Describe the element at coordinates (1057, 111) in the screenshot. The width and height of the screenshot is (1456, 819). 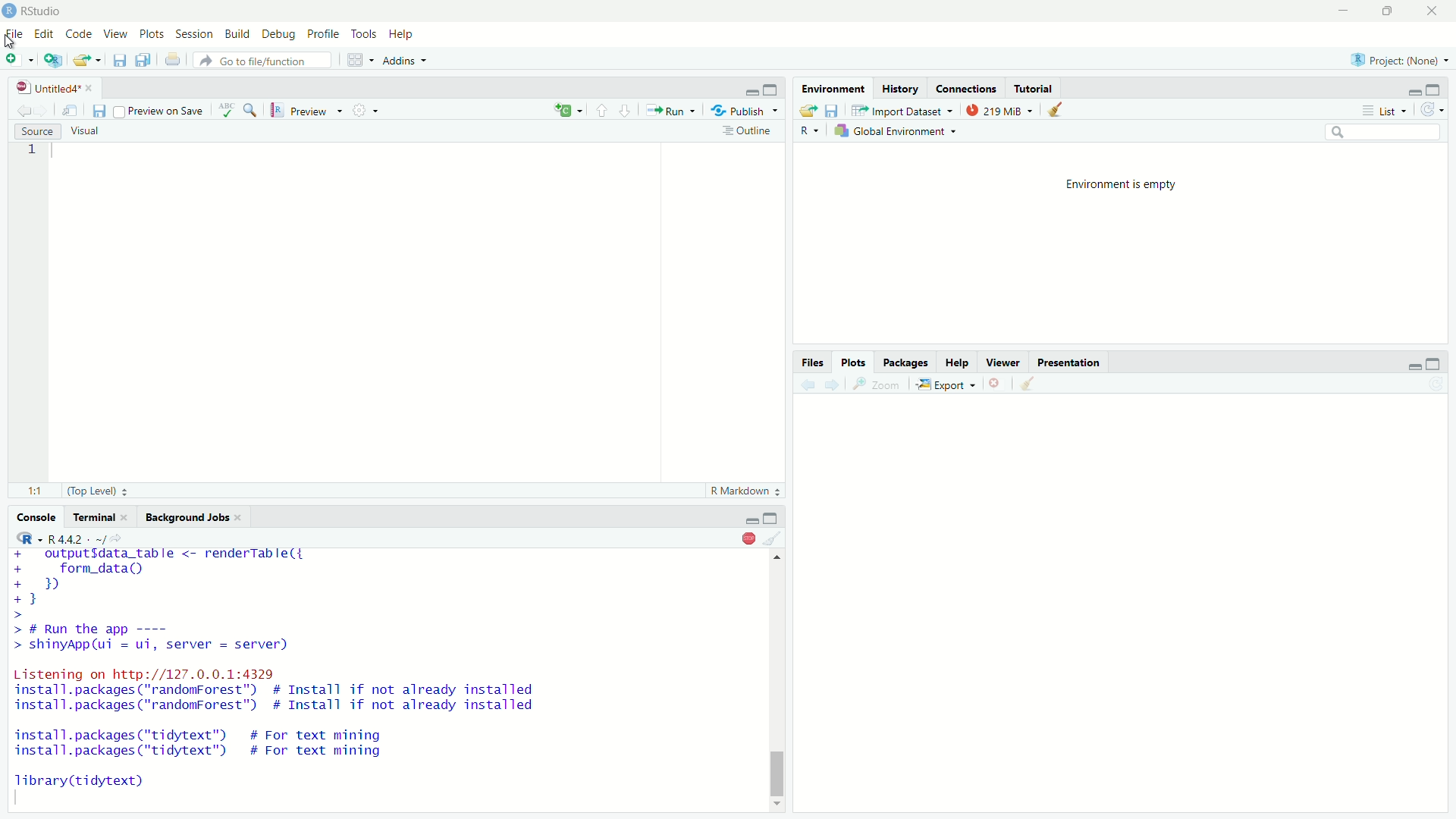
I see `clear objects from workspace` at that location.